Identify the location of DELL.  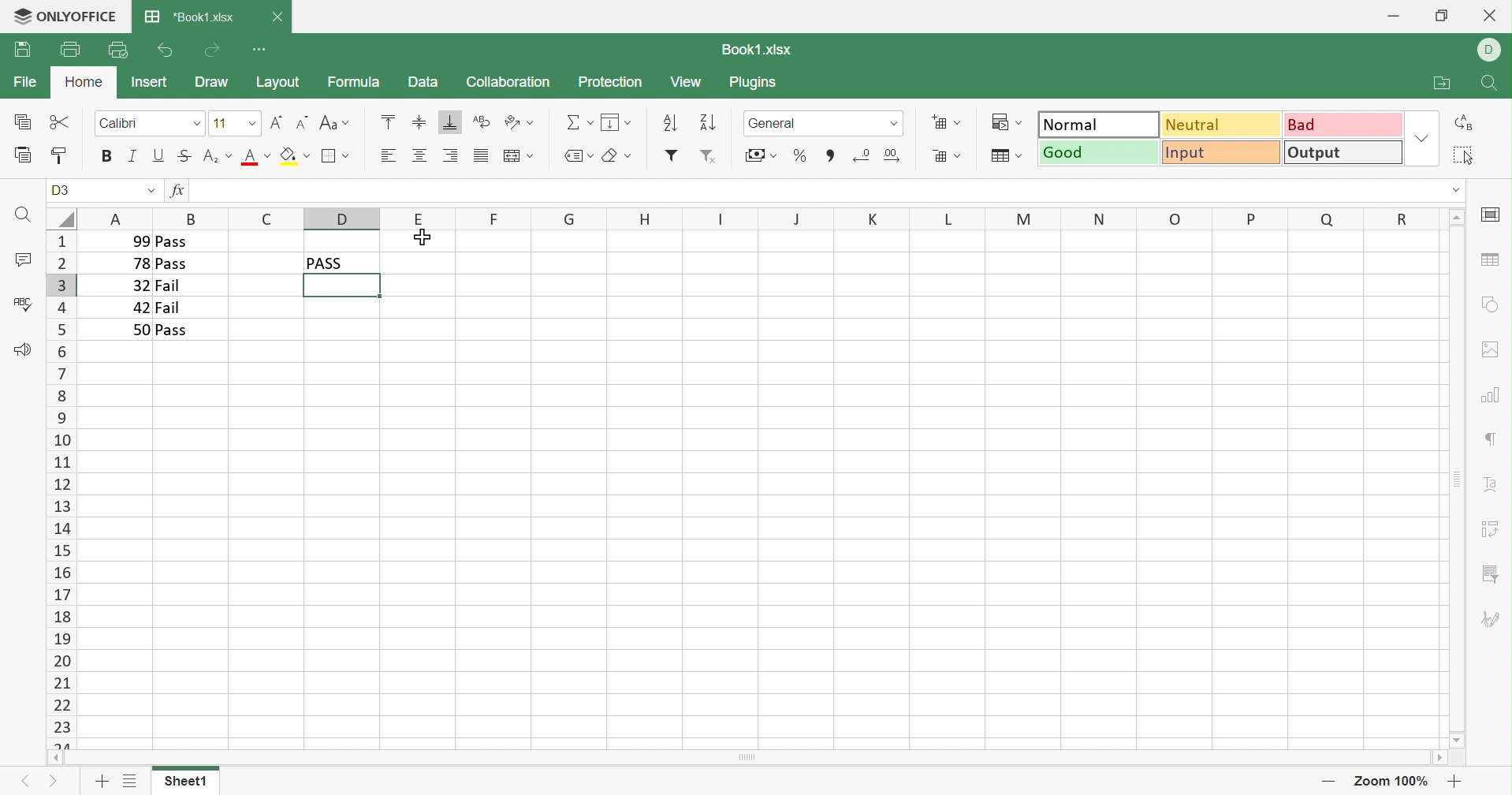
(1492, 51).